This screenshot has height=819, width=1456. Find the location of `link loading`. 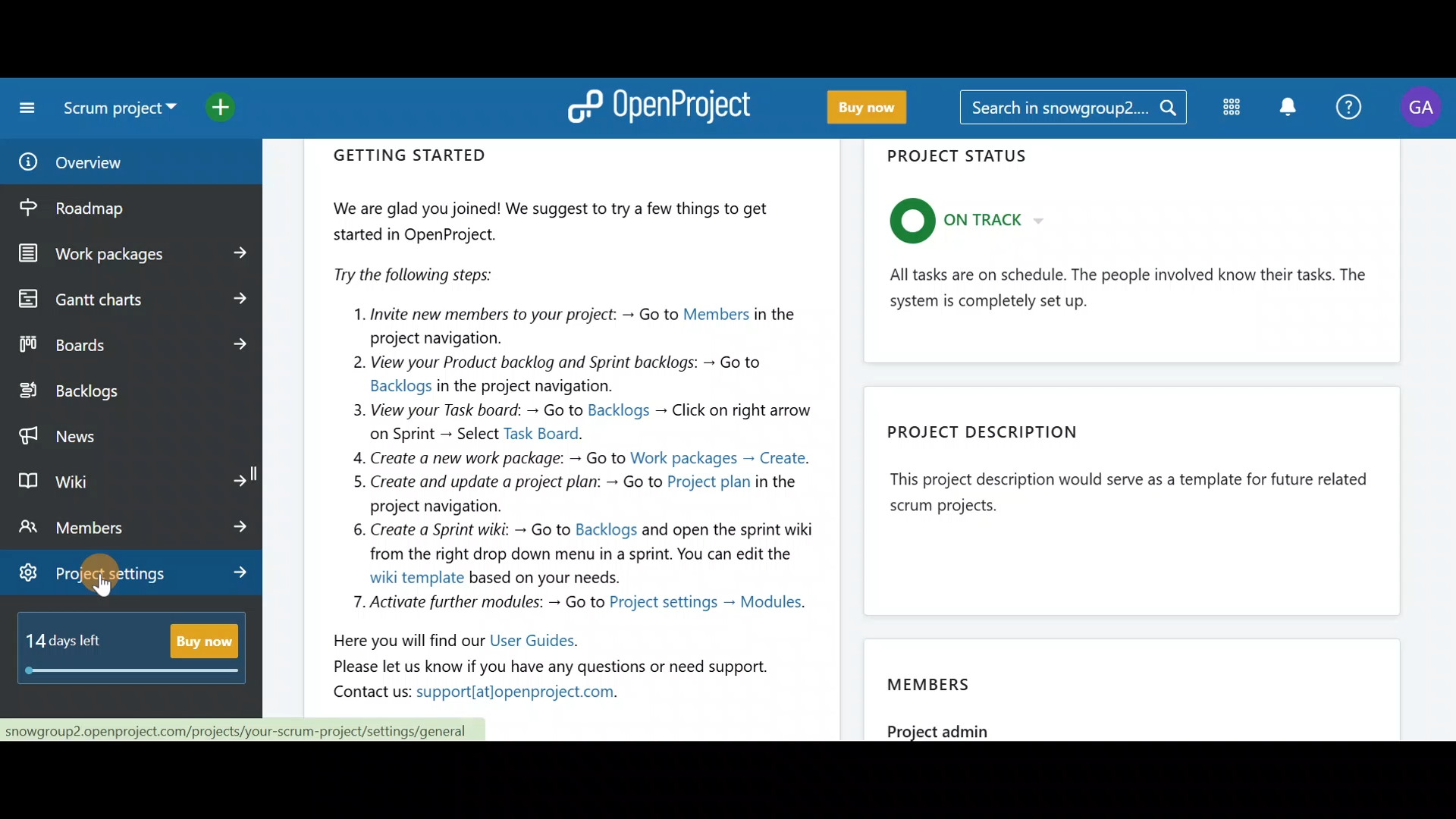

link loading is located at coordinates (245, 730).